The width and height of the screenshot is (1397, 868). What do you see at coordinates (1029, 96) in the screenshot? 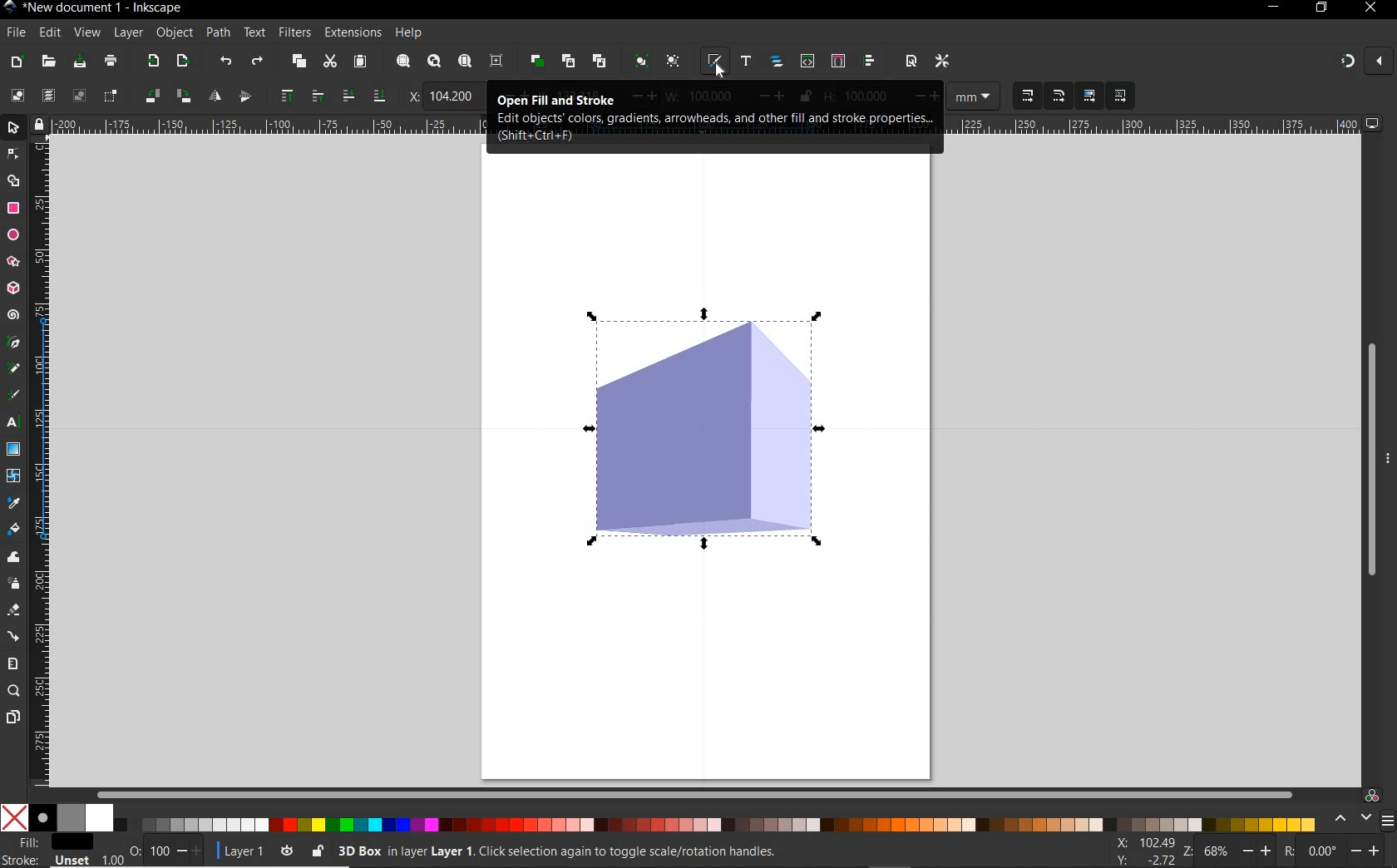
I see `WHENSCALING OBJECTS` at bounding box center [1029, 96].